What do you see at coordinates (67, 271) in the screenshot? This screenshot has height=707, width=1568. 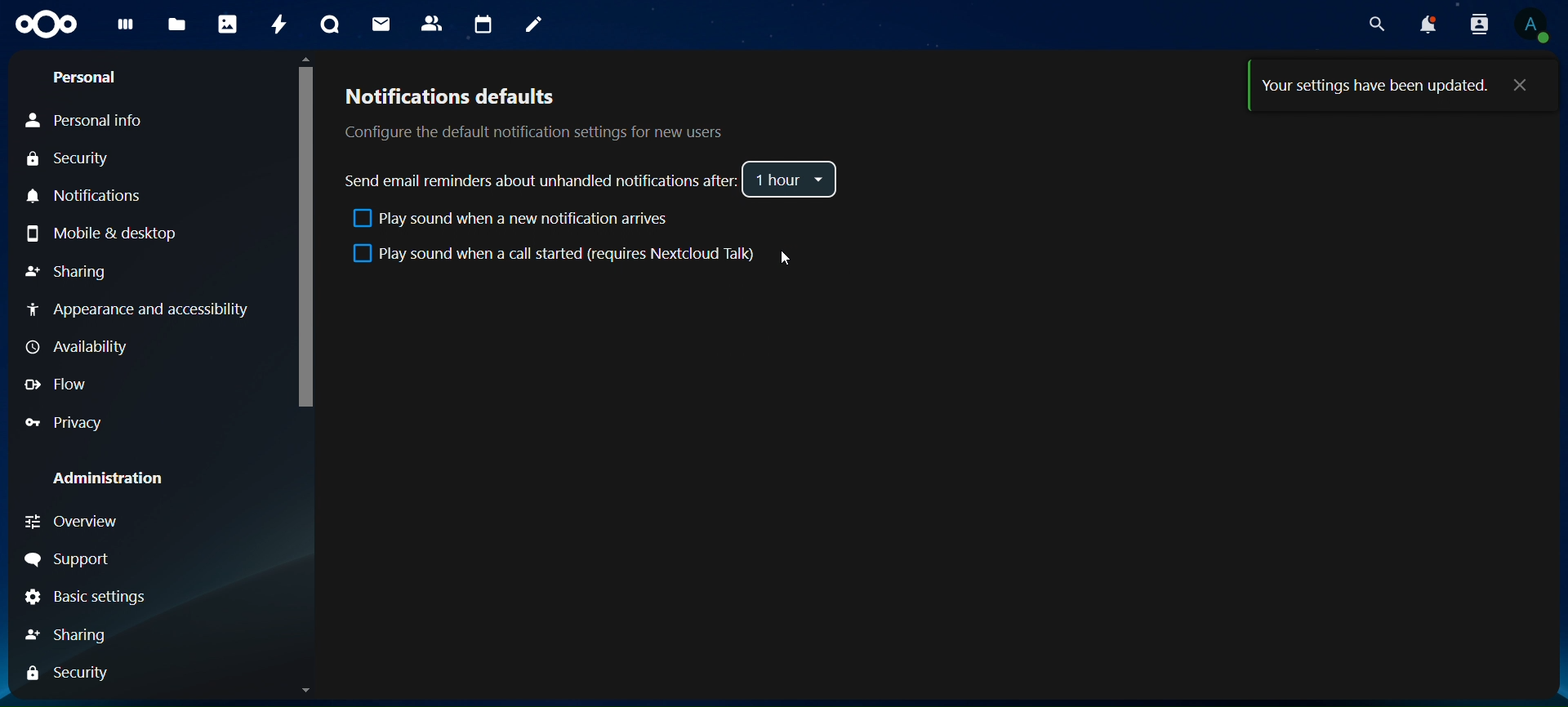 I see `Sharing ` at bounding box center [67, 271].